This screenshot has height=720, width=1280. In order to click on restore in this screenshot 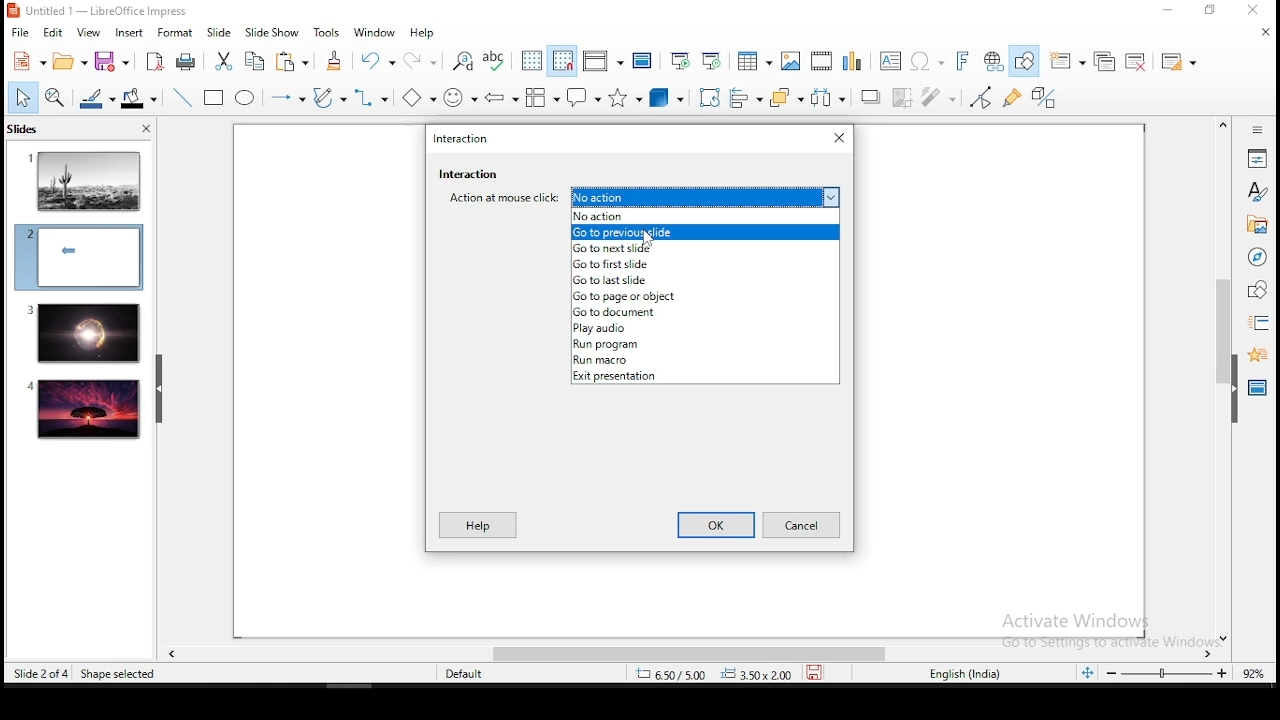, I will do `click(1211, 11)`.